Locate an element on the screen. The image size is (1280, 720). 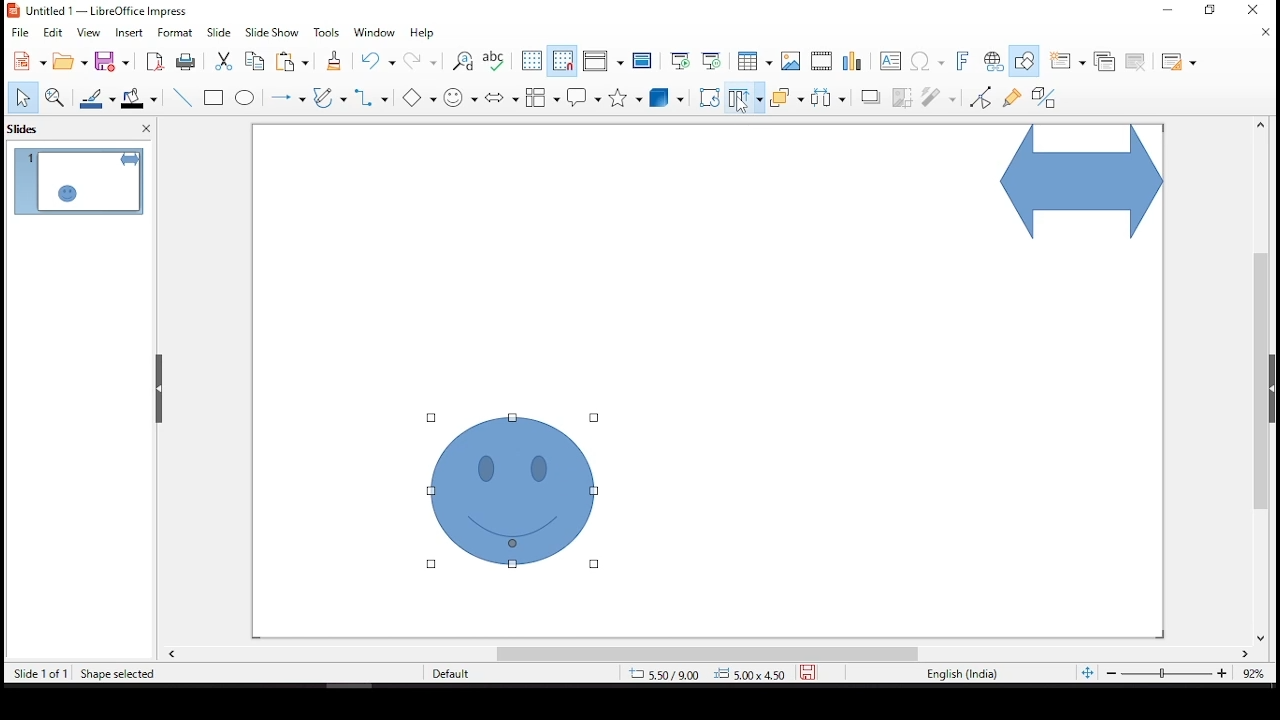
start from current slide is located at coordinates (711, 59).